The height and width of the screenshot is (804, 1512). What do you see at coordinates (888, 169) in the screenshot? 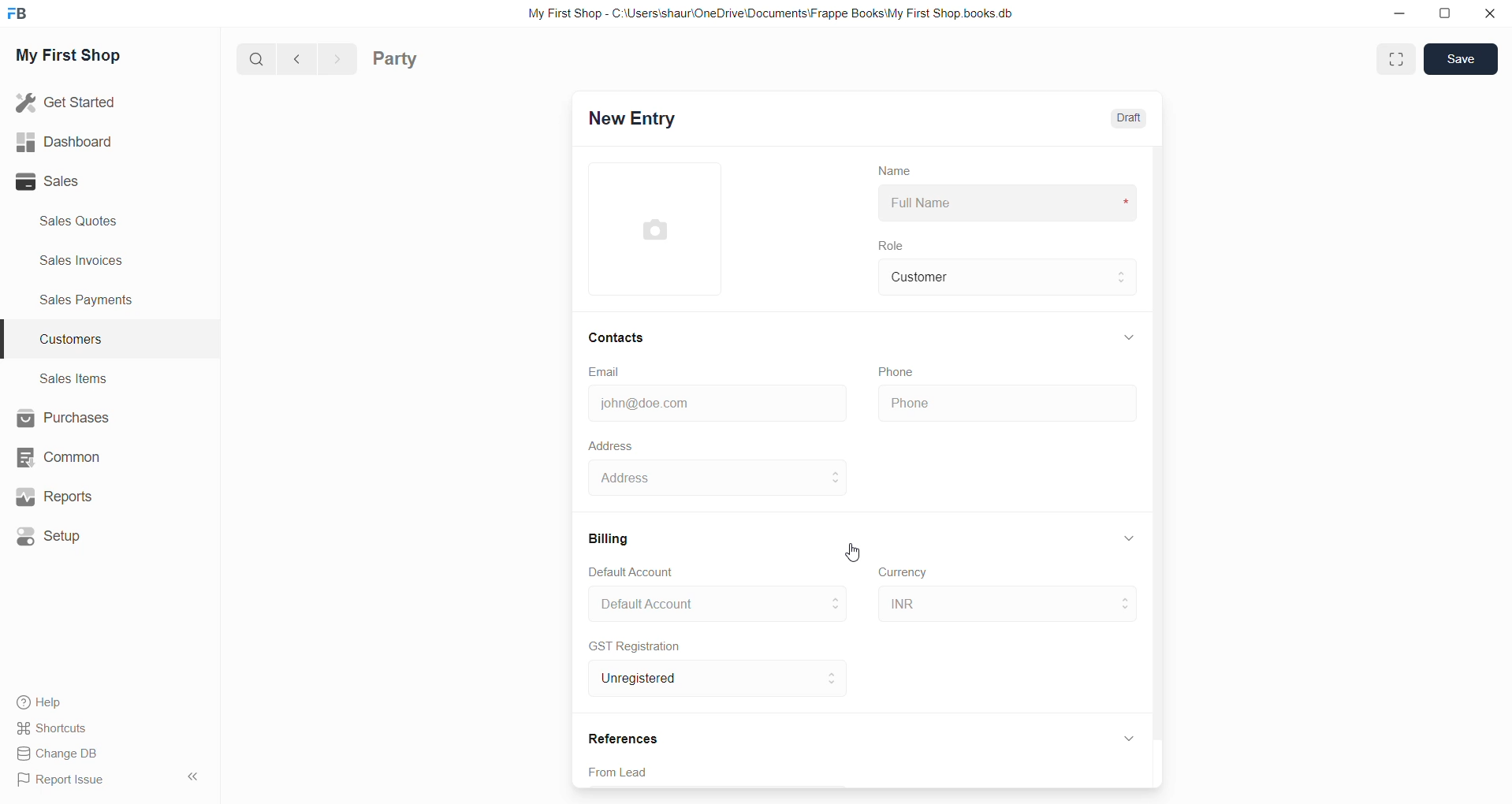
I see `Name` at bounding box center [888, 169].